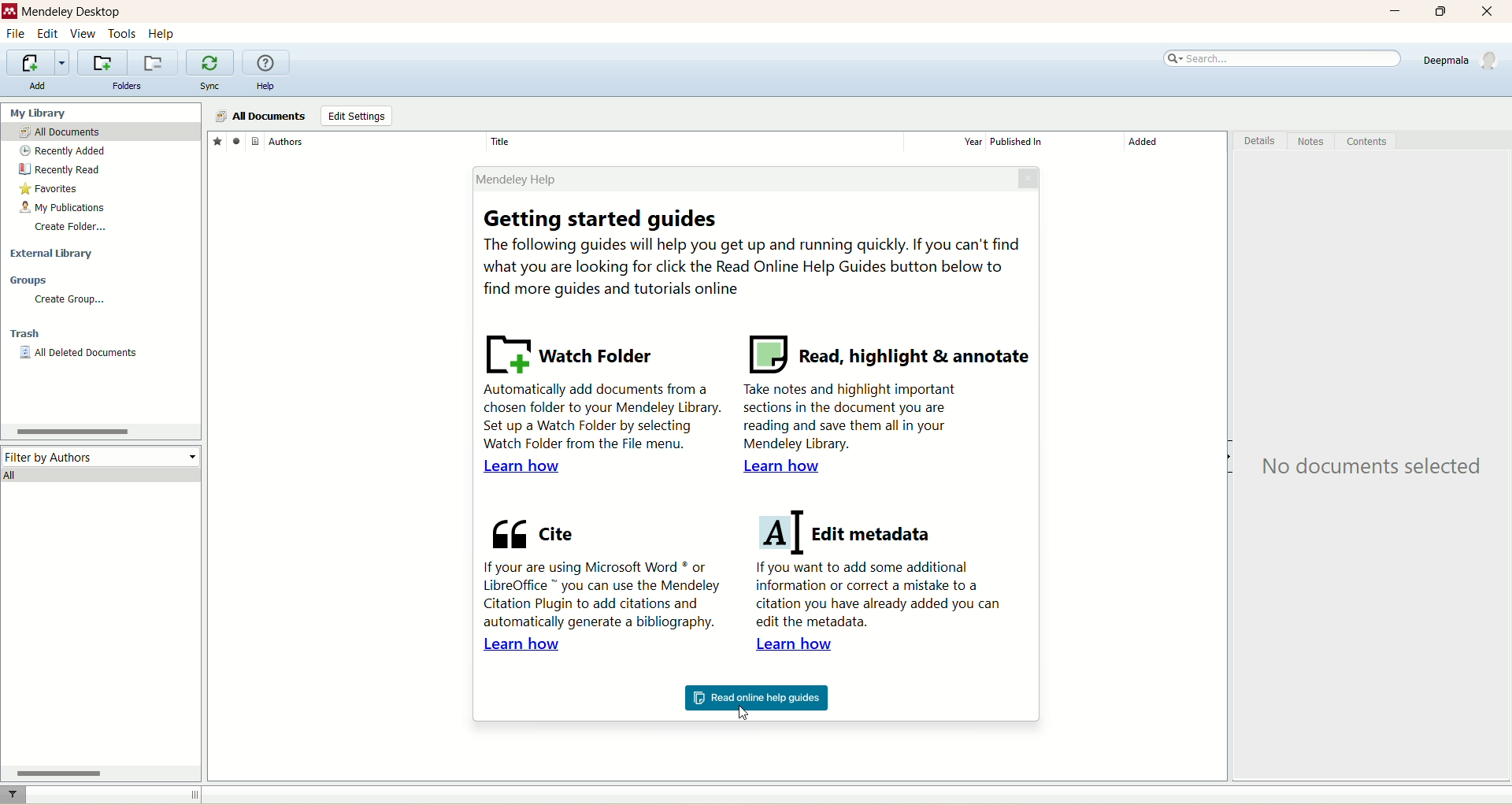 This screenshot has height=805, width=1512. I want to click on add, so click(38, 85).